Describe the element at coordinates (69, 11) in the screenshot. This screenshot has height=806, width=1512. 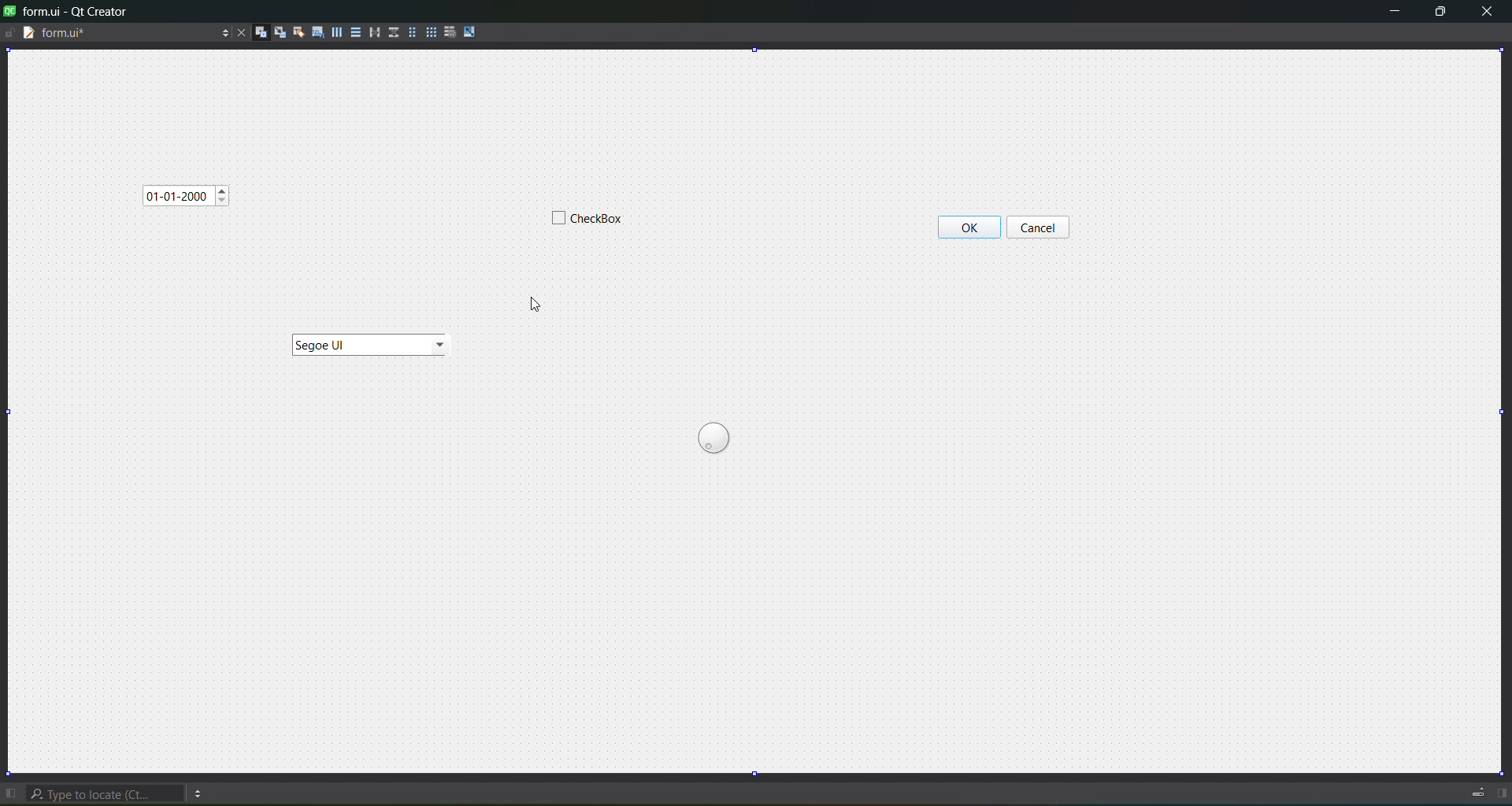
I see `Title` at that location.